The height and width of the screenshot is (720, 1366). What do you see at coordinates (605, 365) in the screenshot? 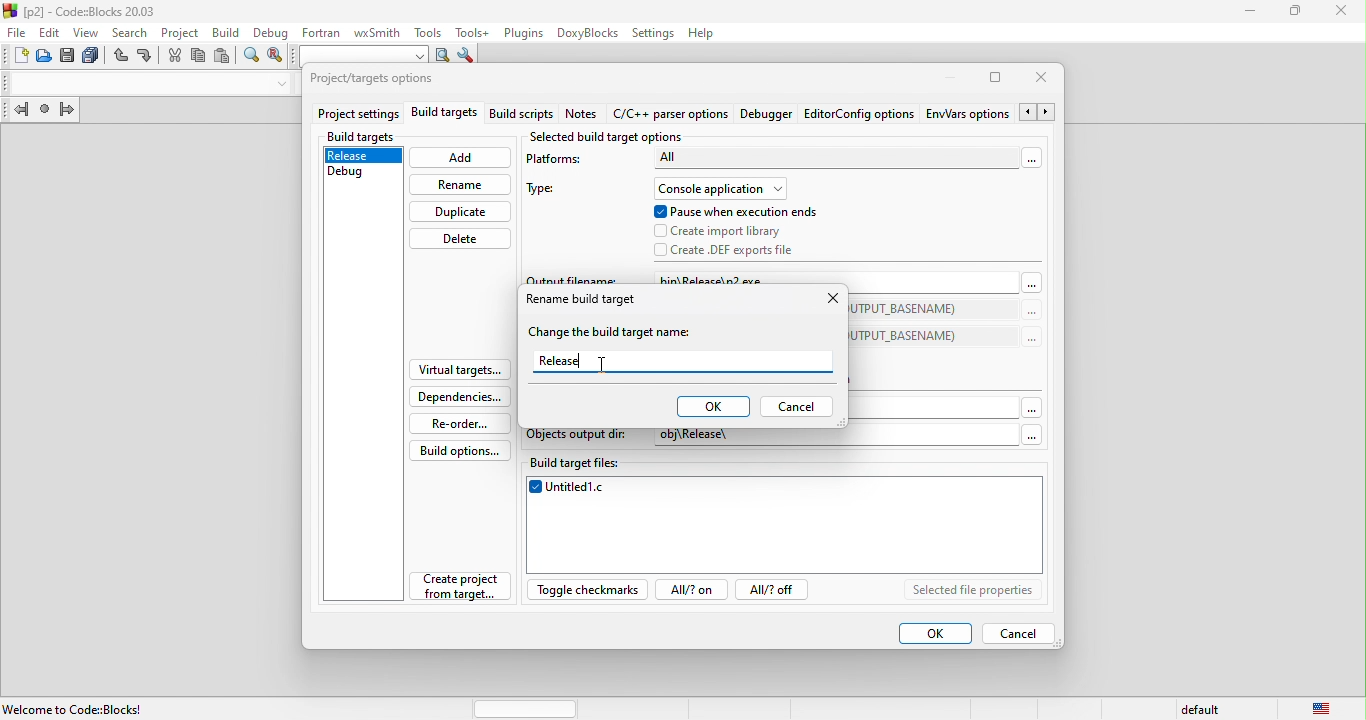
I see `Cursor` at bounding box center [605, 365].